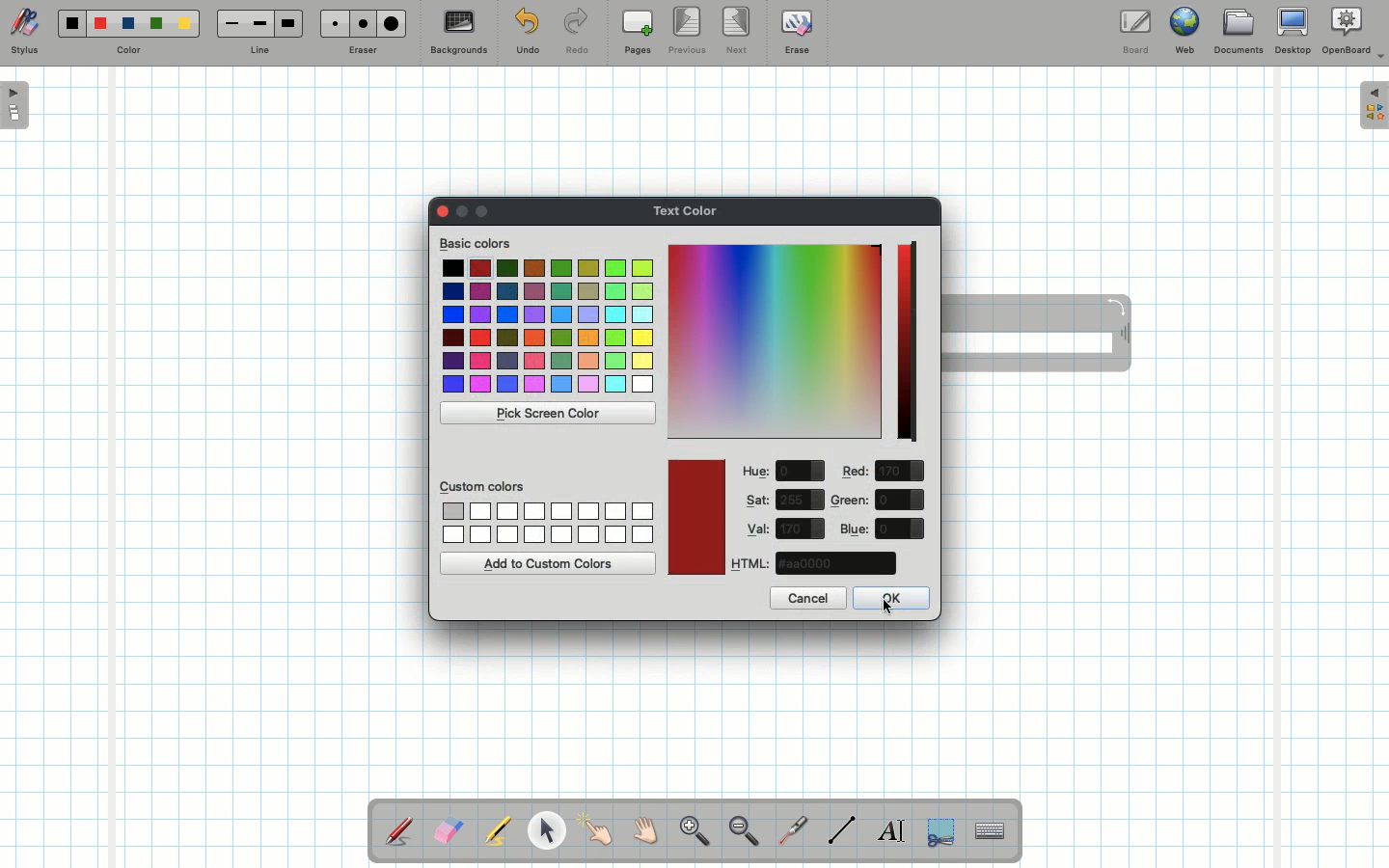 The height and width of the screenshot is (868, 1389). I want to click on Pages, so click(638, 34).